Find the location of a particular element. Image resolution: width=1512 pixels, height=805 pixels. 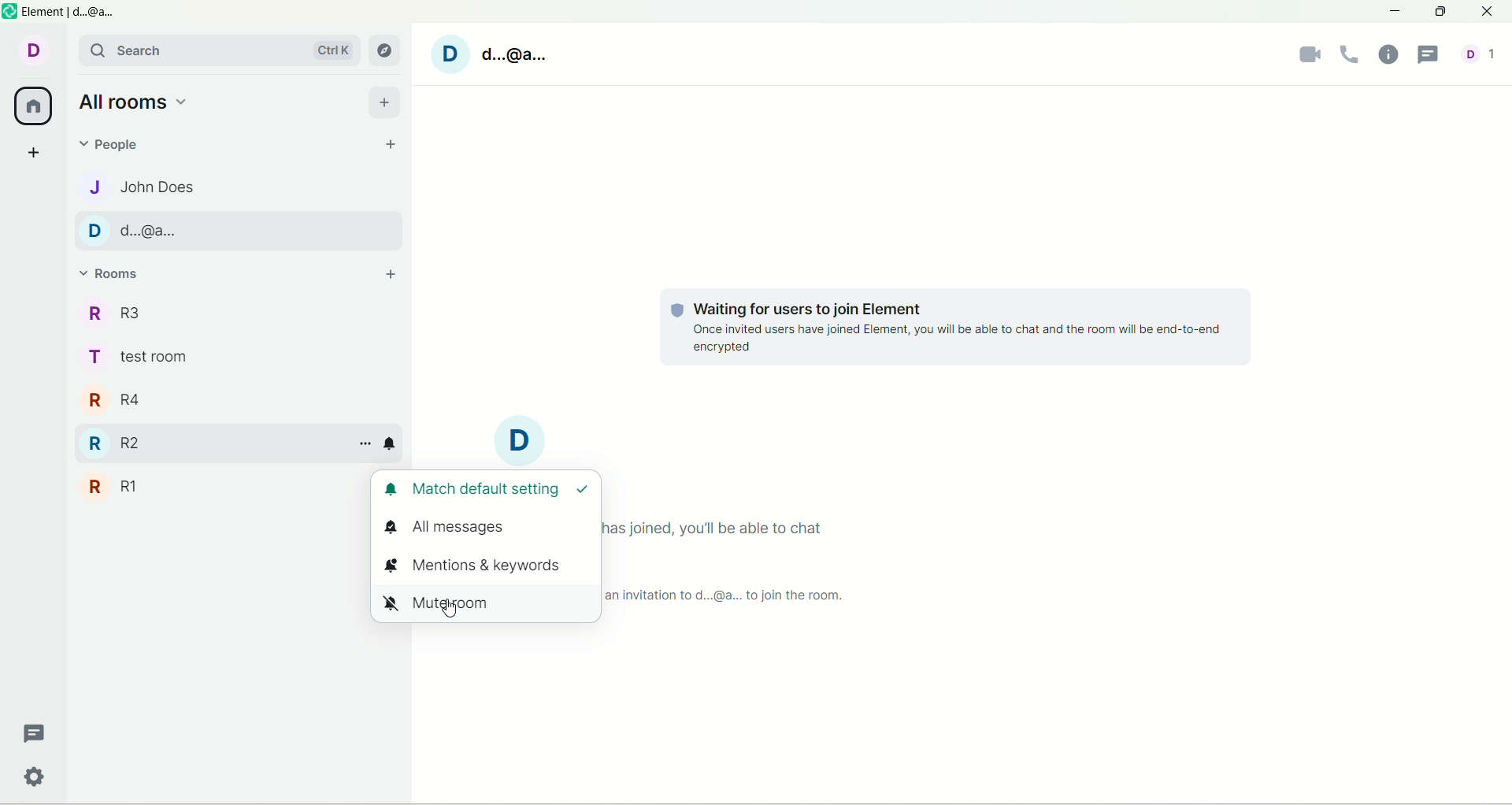

text is located at coordinates (946, 328).